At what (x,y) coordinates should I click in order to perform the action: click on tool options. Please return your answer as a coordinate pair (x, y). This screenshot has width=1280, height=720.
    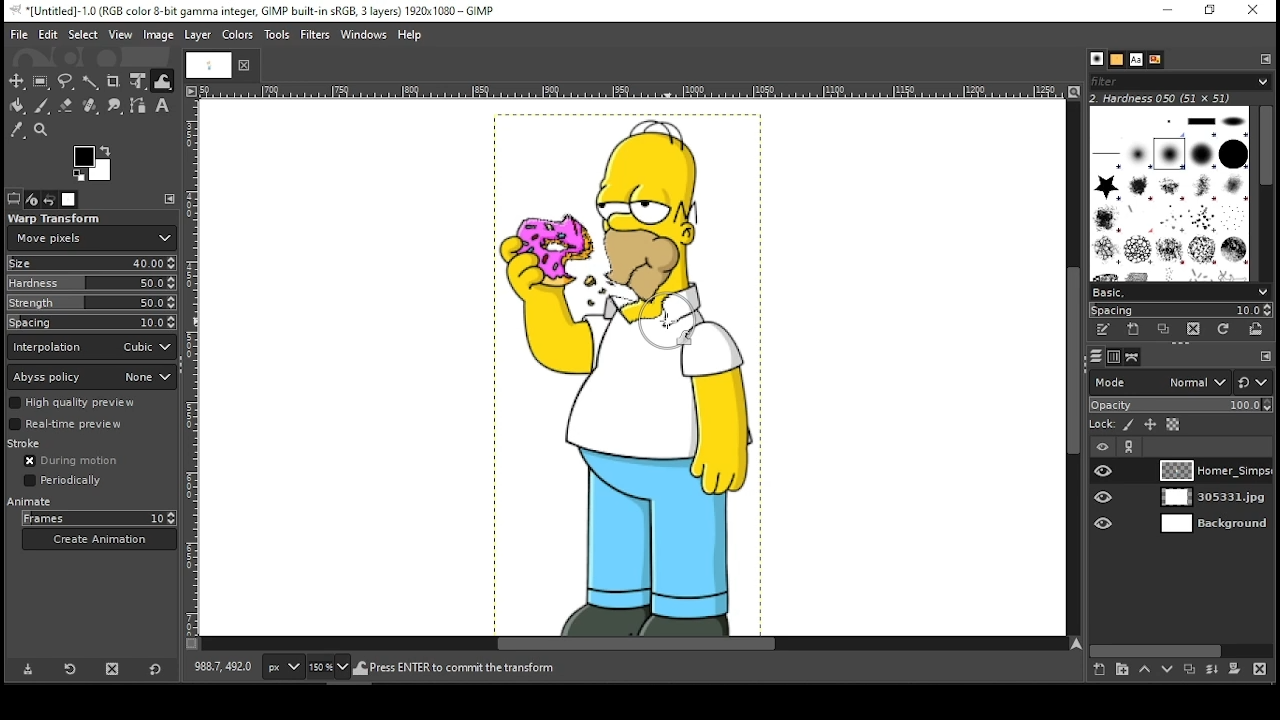
    Looking at the image, I should click on (15, 199).